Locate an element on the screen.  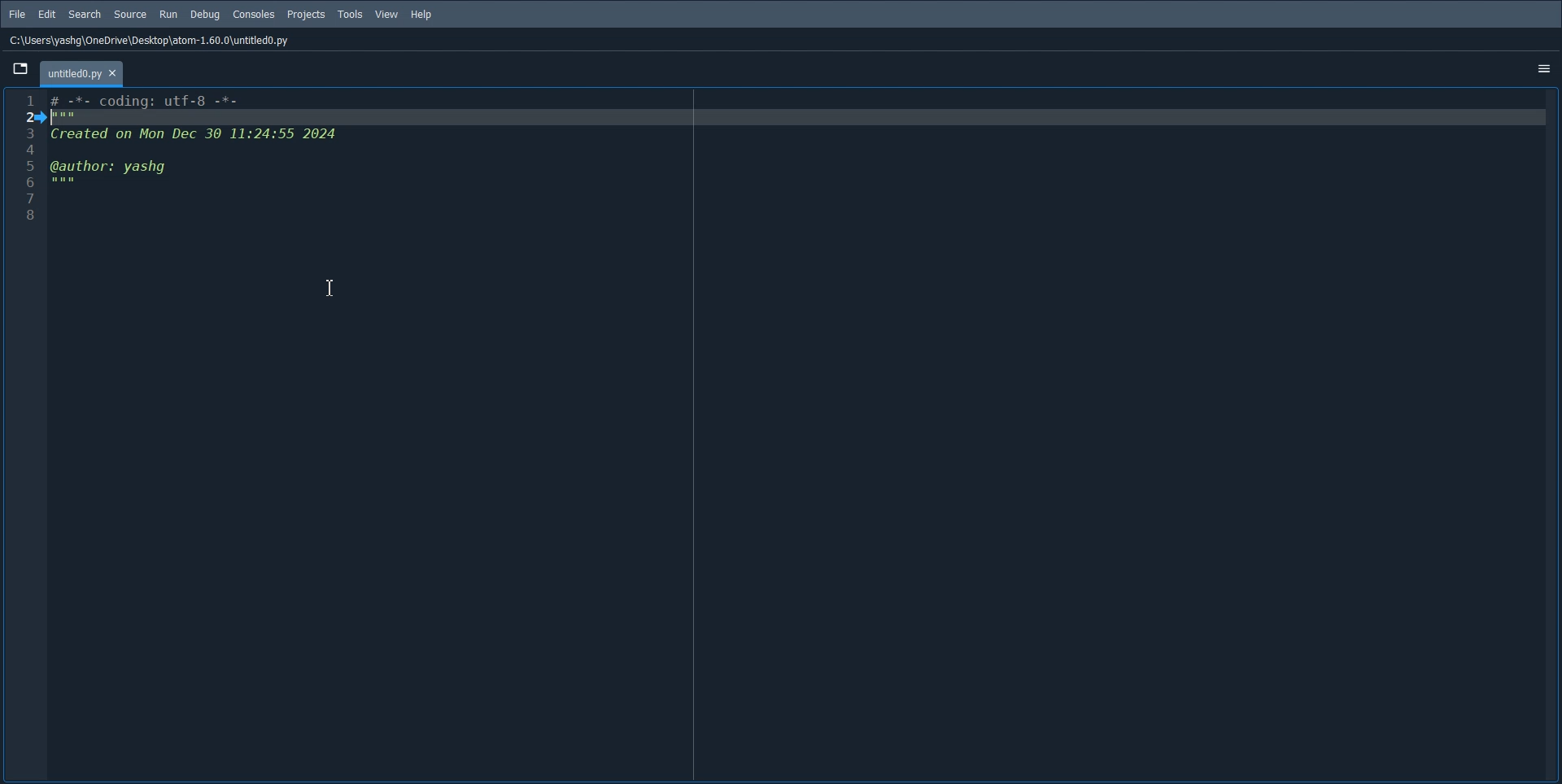
Edit is located at coordinates (46, 15).